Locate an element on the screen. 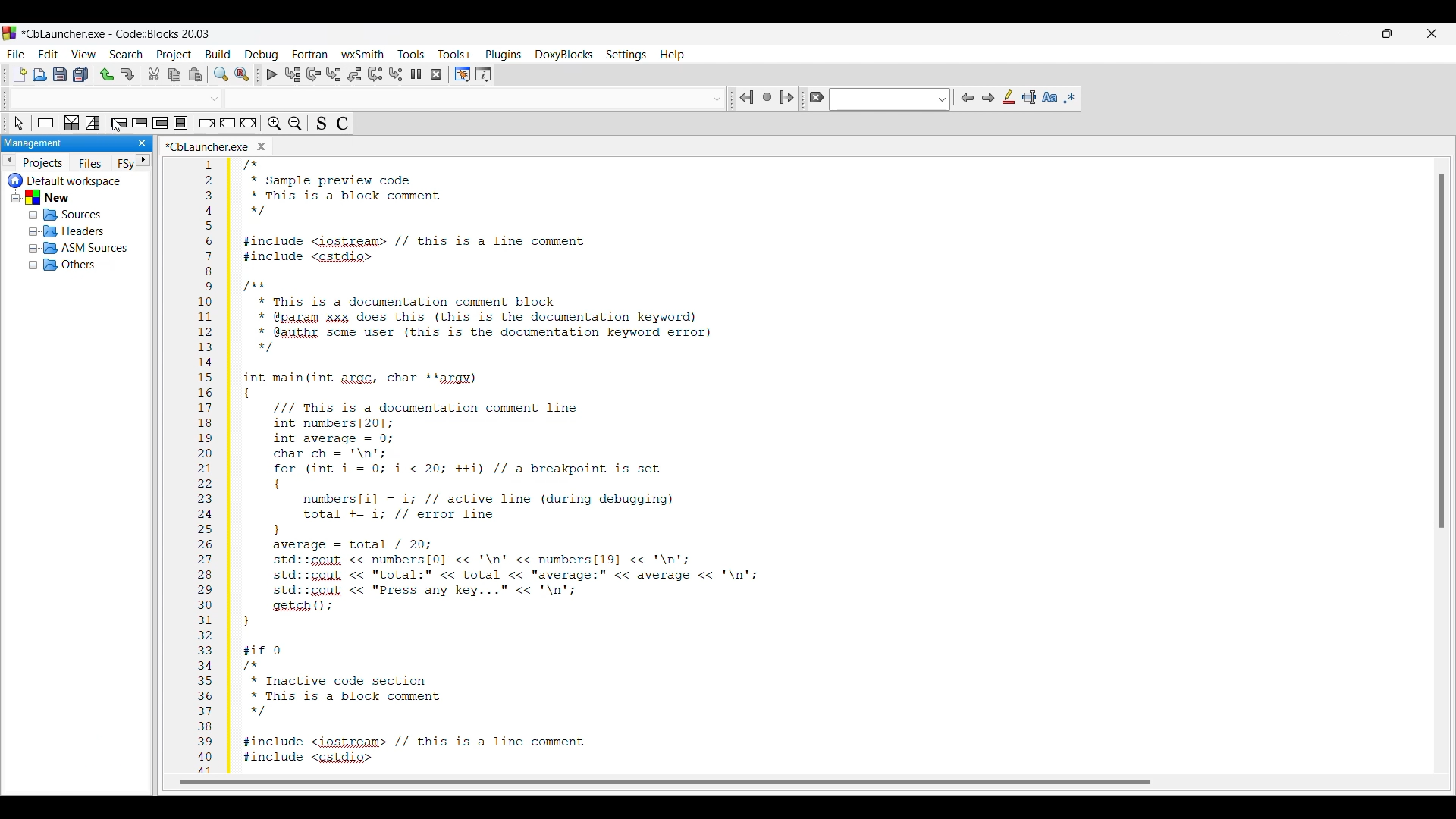  Save everything is located at coordinates (80, 74).